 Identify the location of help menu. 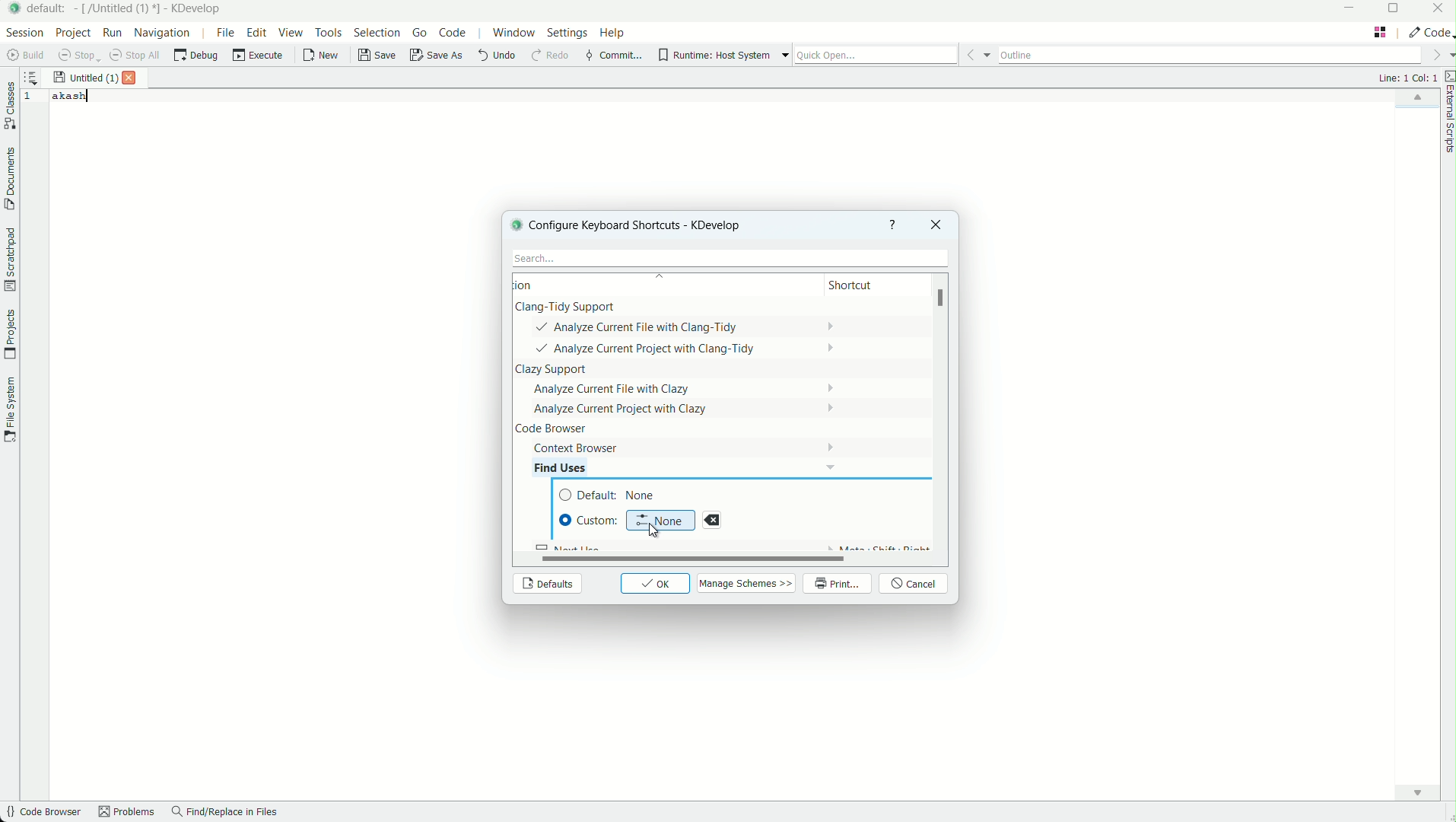
(614, 34).